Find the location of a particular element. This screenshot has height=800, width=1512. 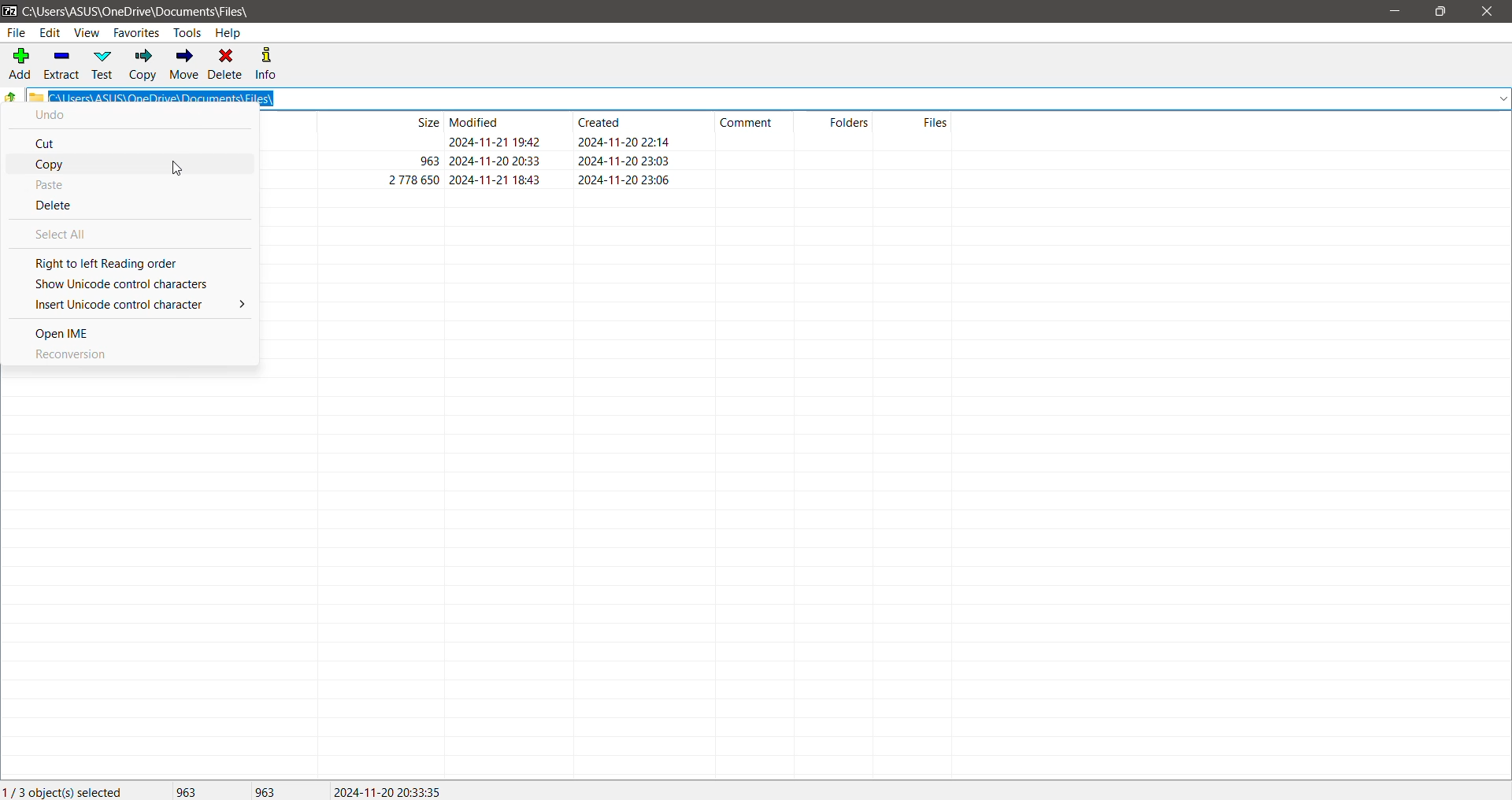

created date & time is located at coordinates (625, 141).